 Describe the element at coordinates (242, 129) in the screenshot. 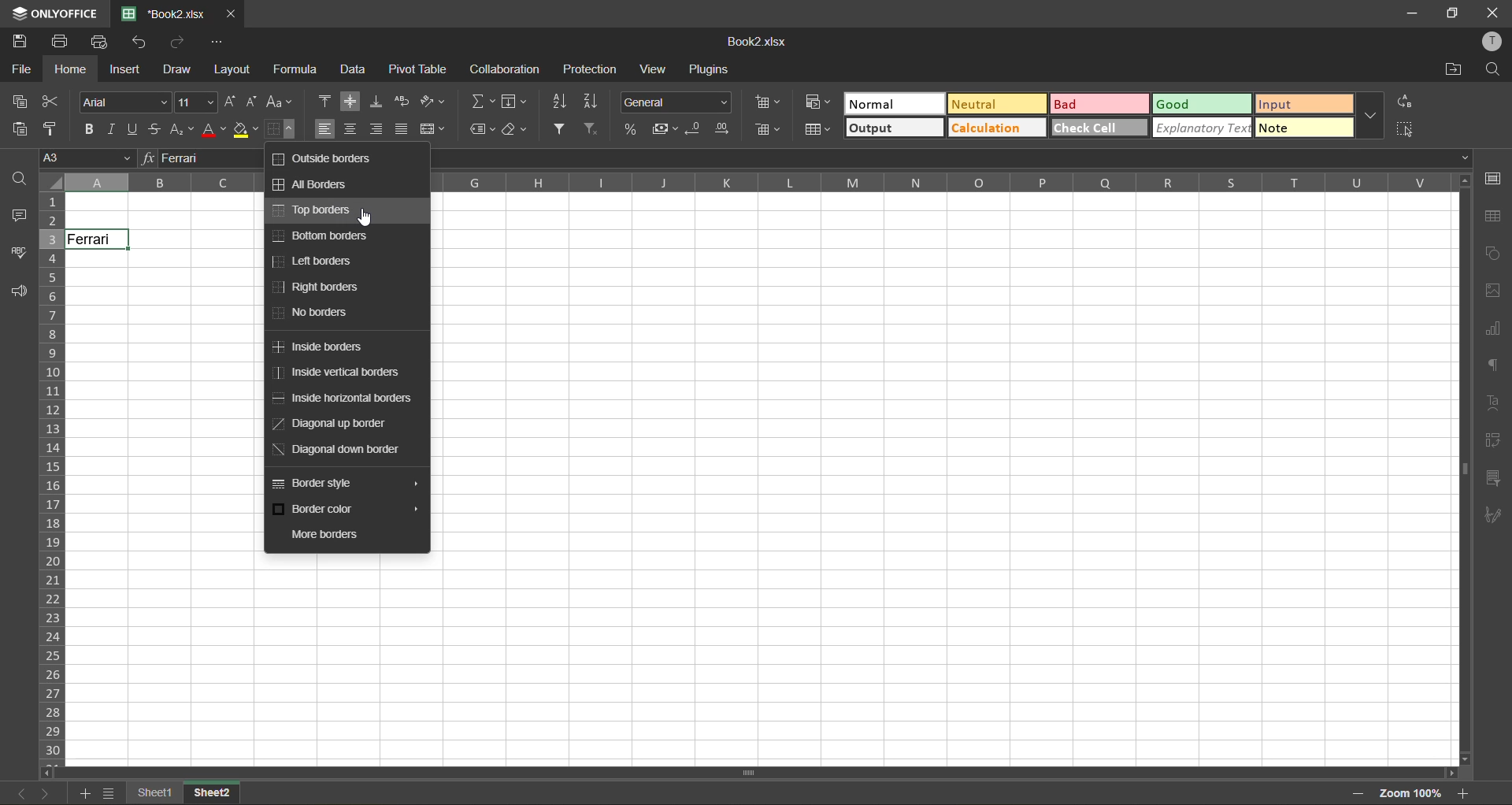

I see `fill color` at that location.